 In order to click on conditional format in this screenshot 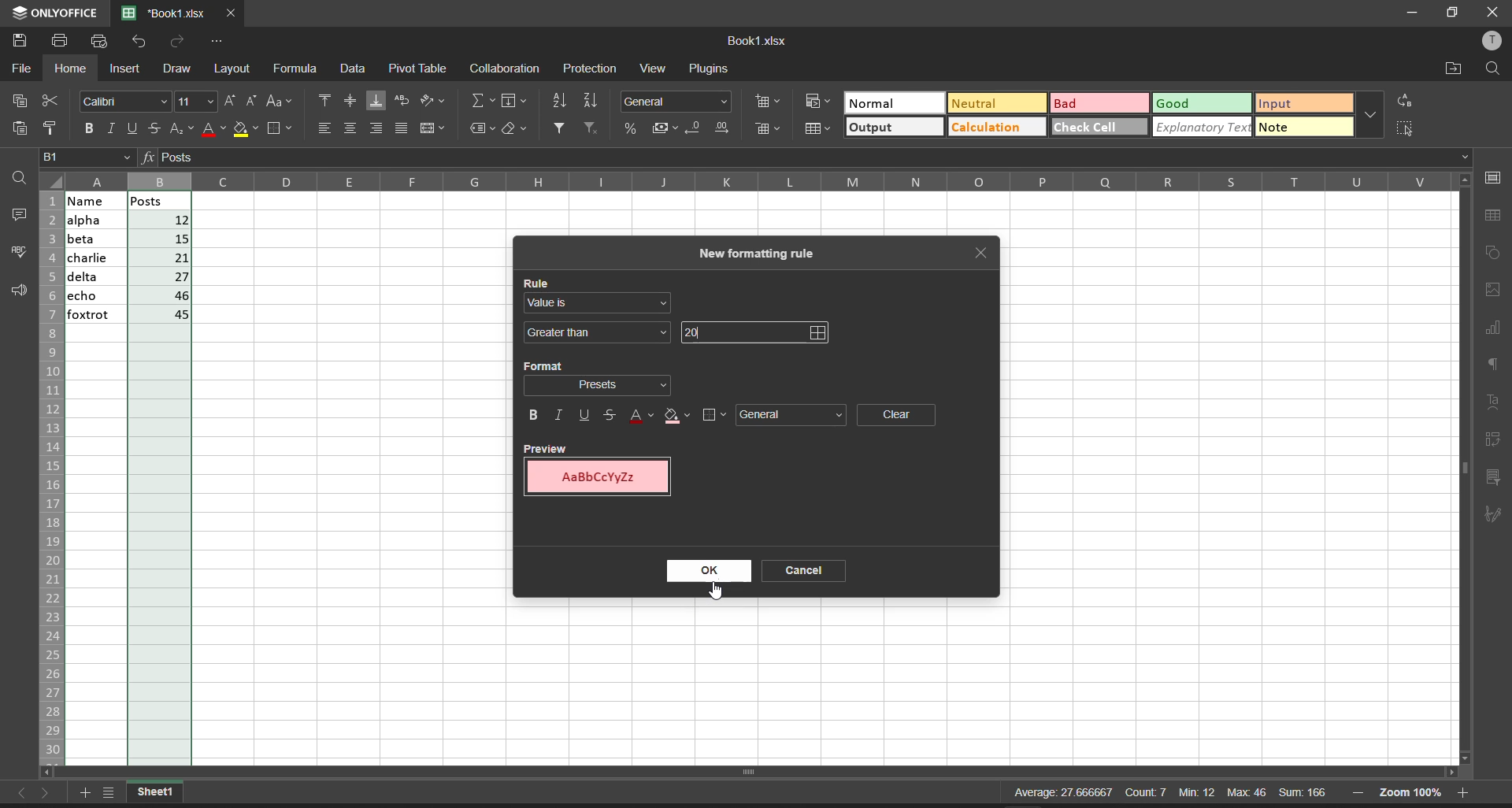, I will do `click(822, 102)`.